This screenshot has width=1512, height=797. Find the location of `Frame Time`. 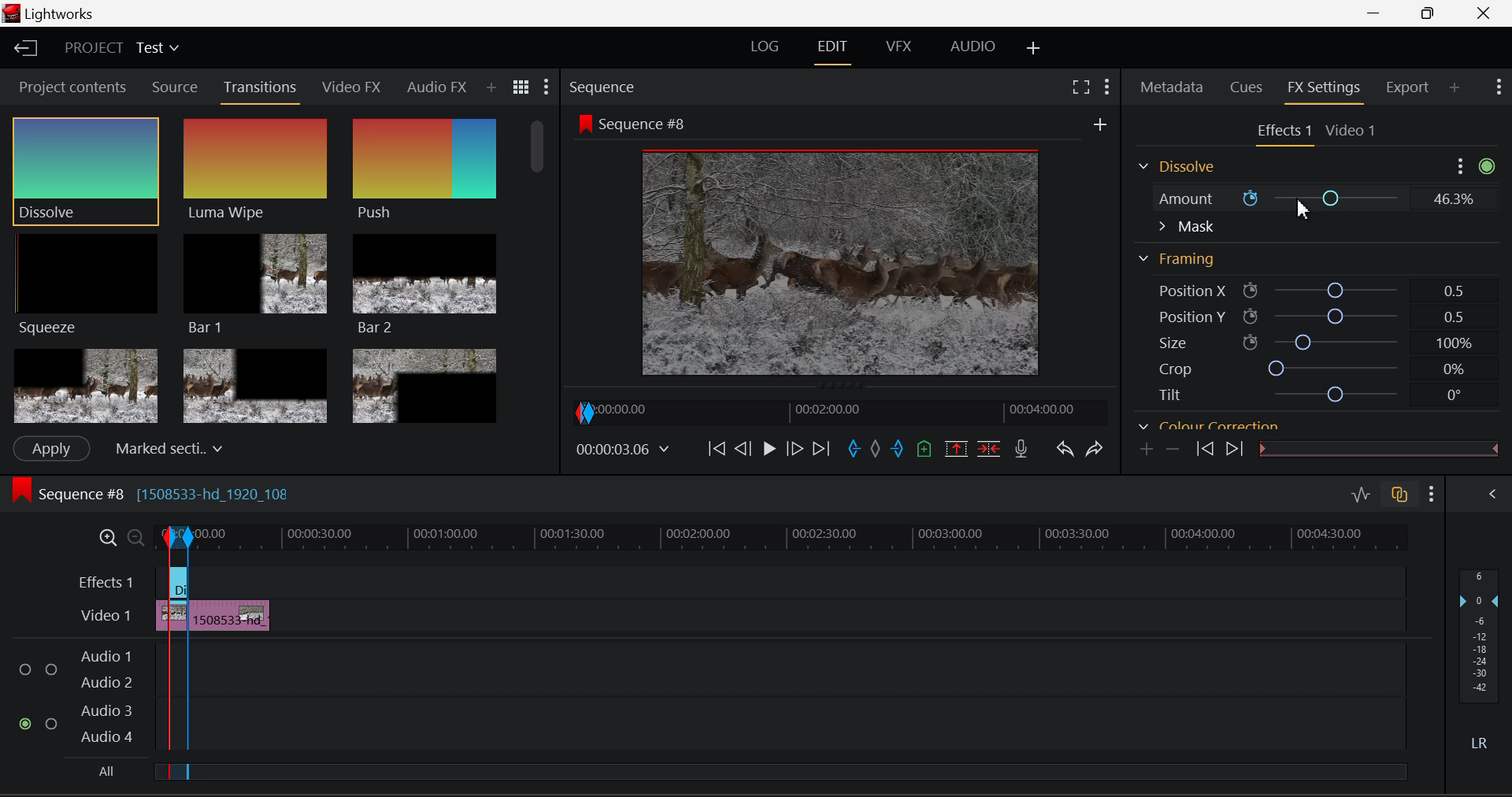

Frame Time is located at coordinates (622, 449).